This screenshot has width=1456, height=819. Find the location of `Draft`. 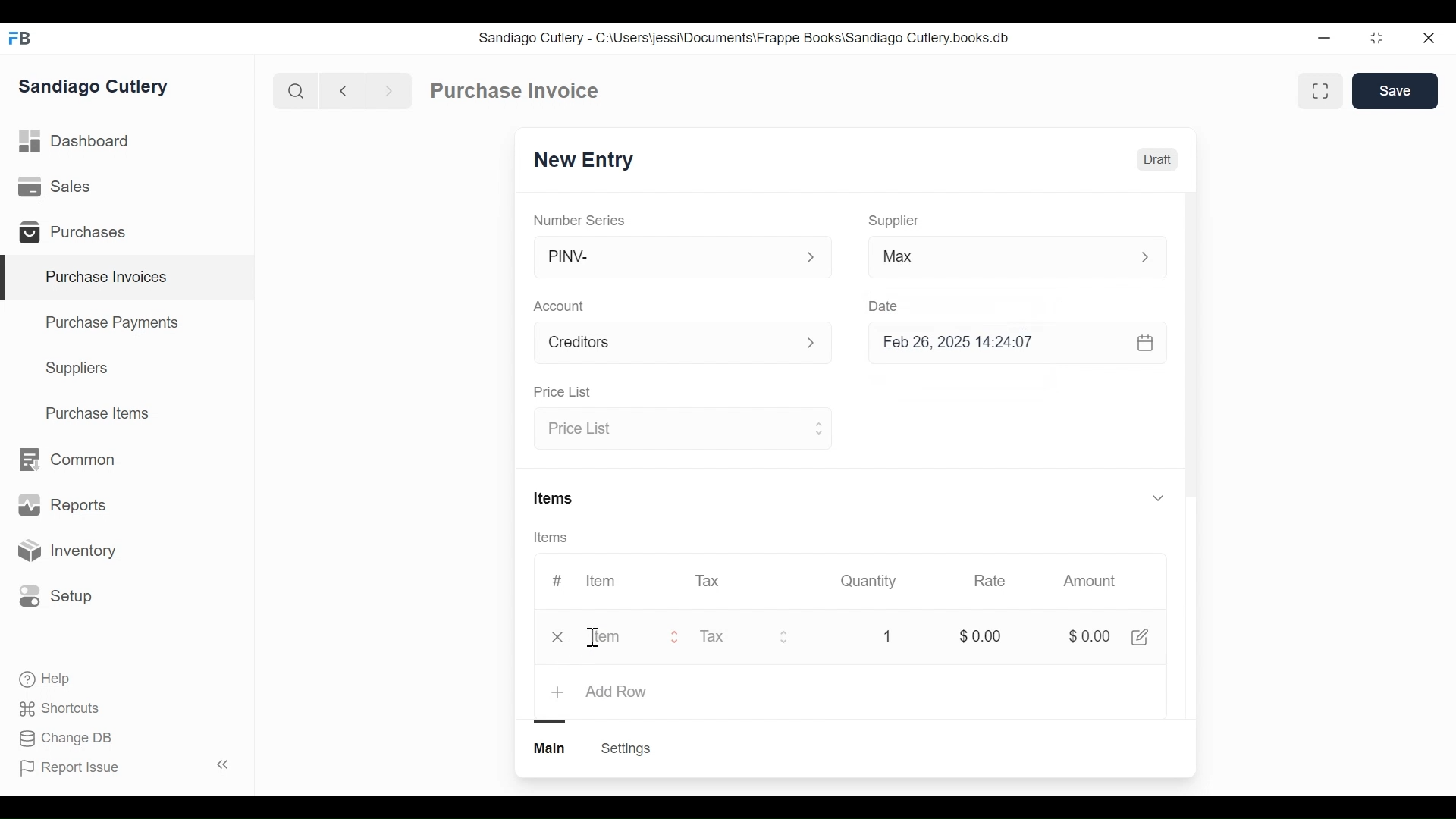

Draft is located at coordinates (1158, 162).